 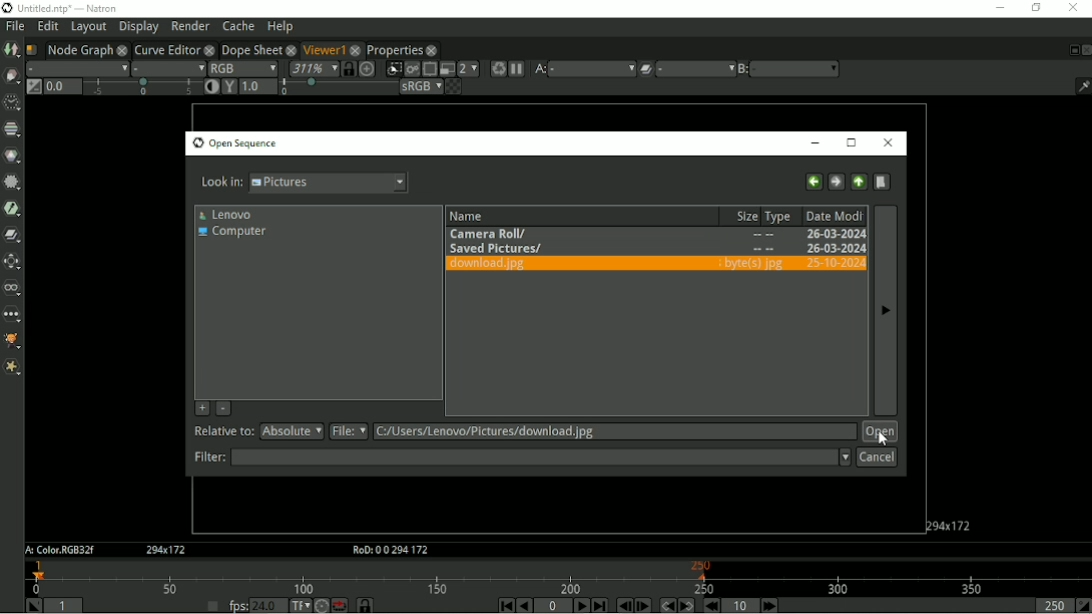 What do you see at coordinates (367, 68) in the screenshot?
I see `Scales the image` at bounding box center [367, 68].